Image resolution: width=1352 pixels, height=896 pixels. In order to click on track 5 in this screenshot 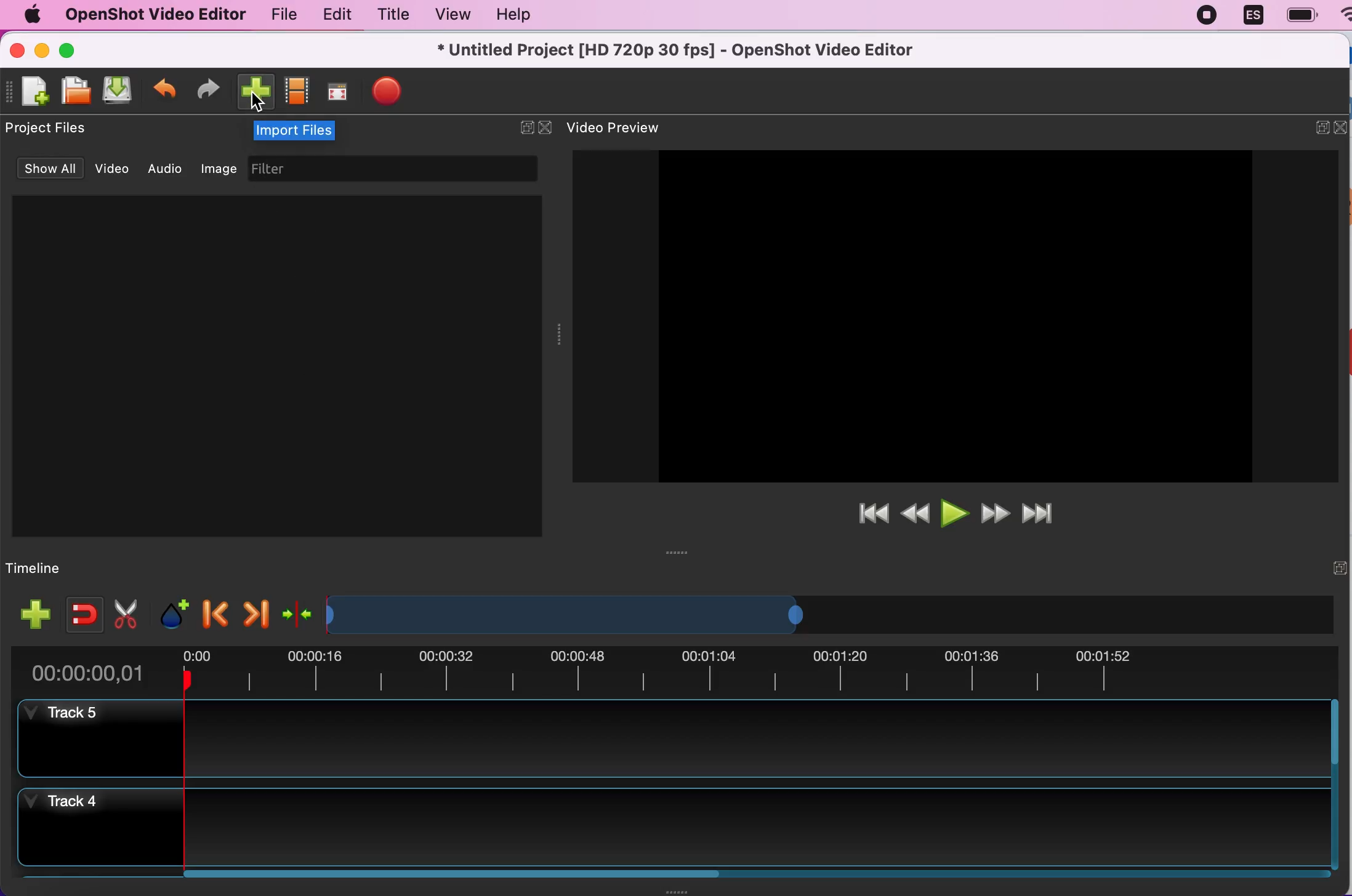, I will do `click(677, 740)`.